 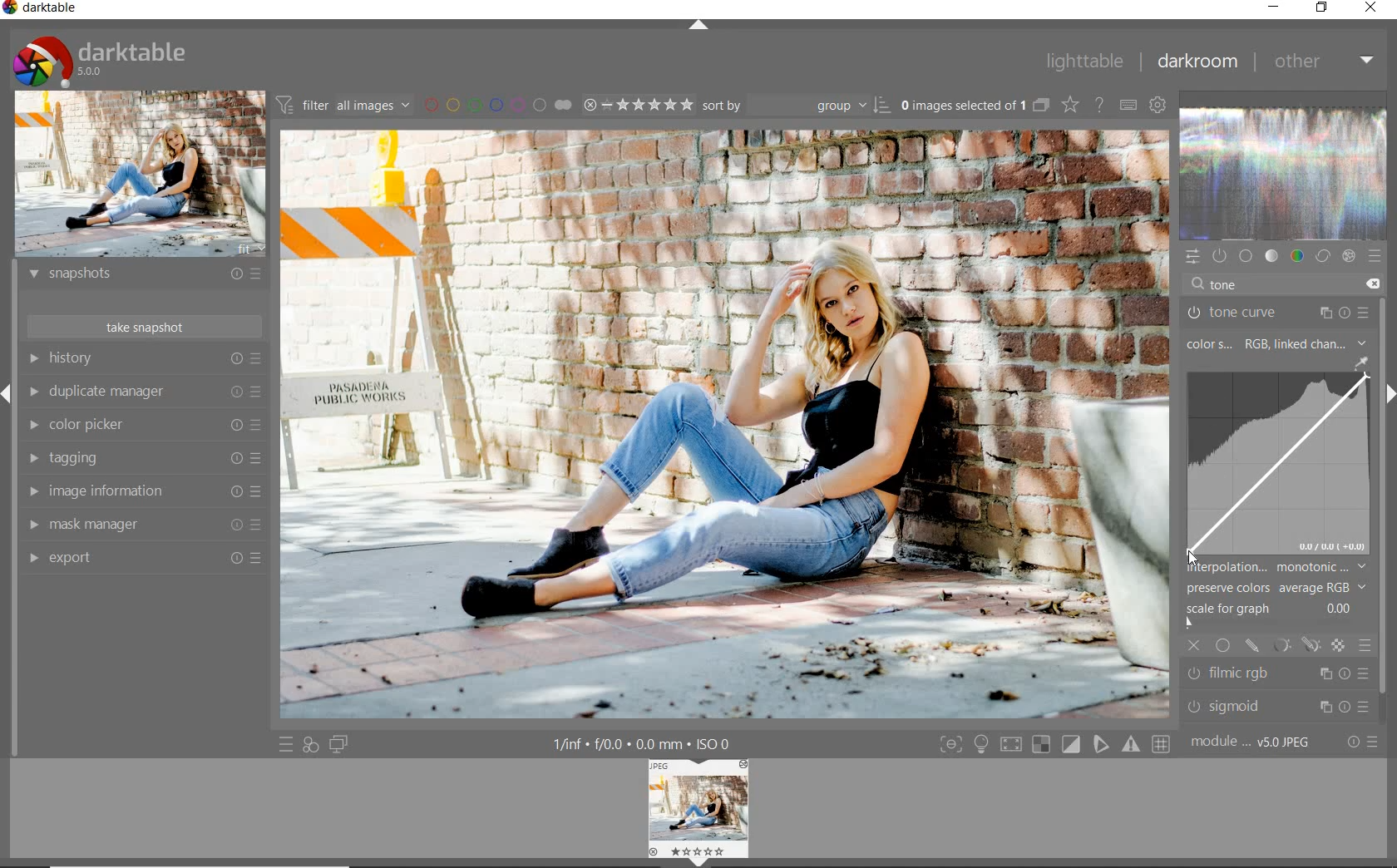 What do you see at coordinates (1322, 257) in the screenshot?
I see `correct` at bounding box center [1322, 257].